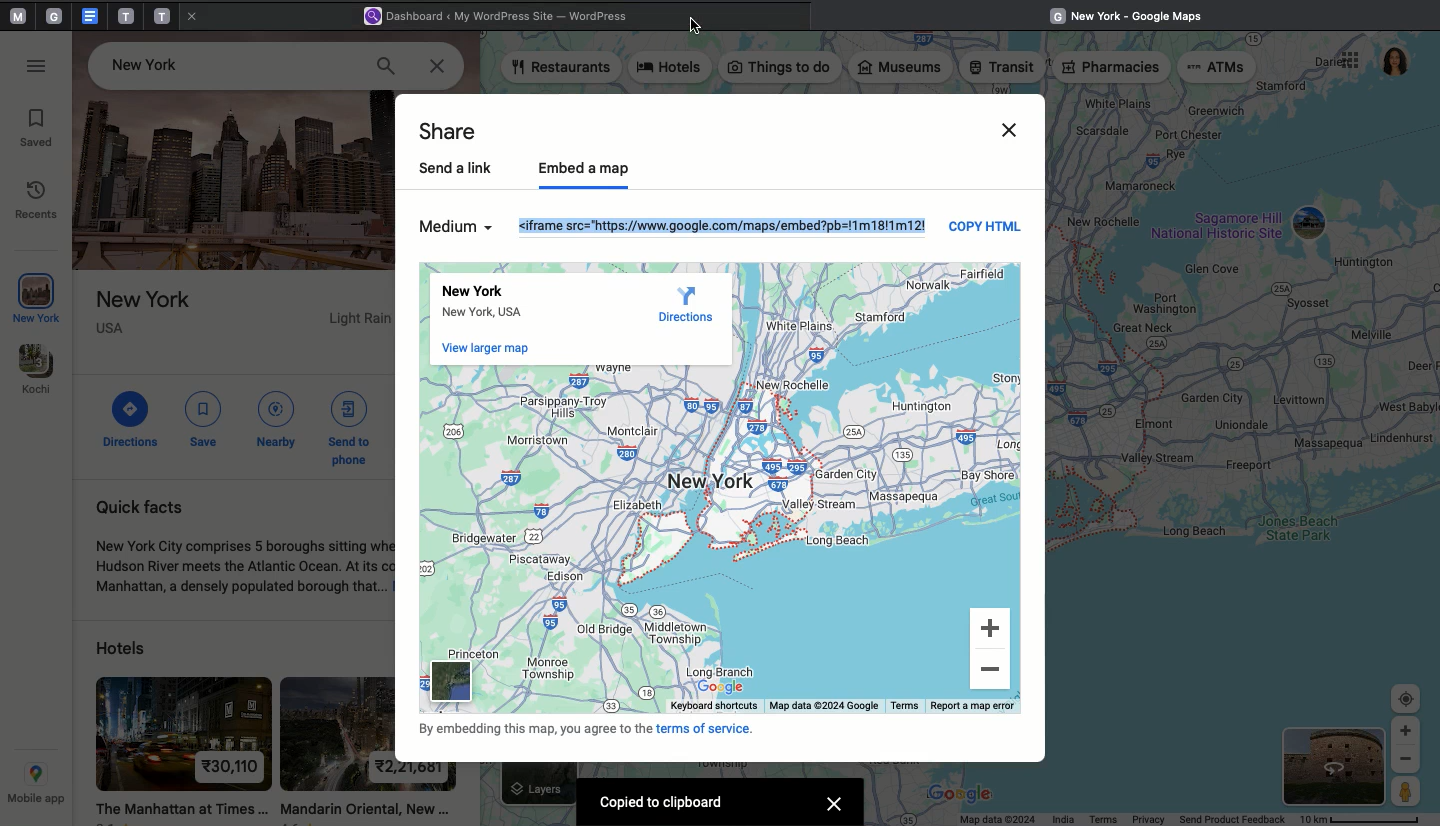 This screenshot has width=1440, height=826. I want to click on Map, so click(1247, 397).